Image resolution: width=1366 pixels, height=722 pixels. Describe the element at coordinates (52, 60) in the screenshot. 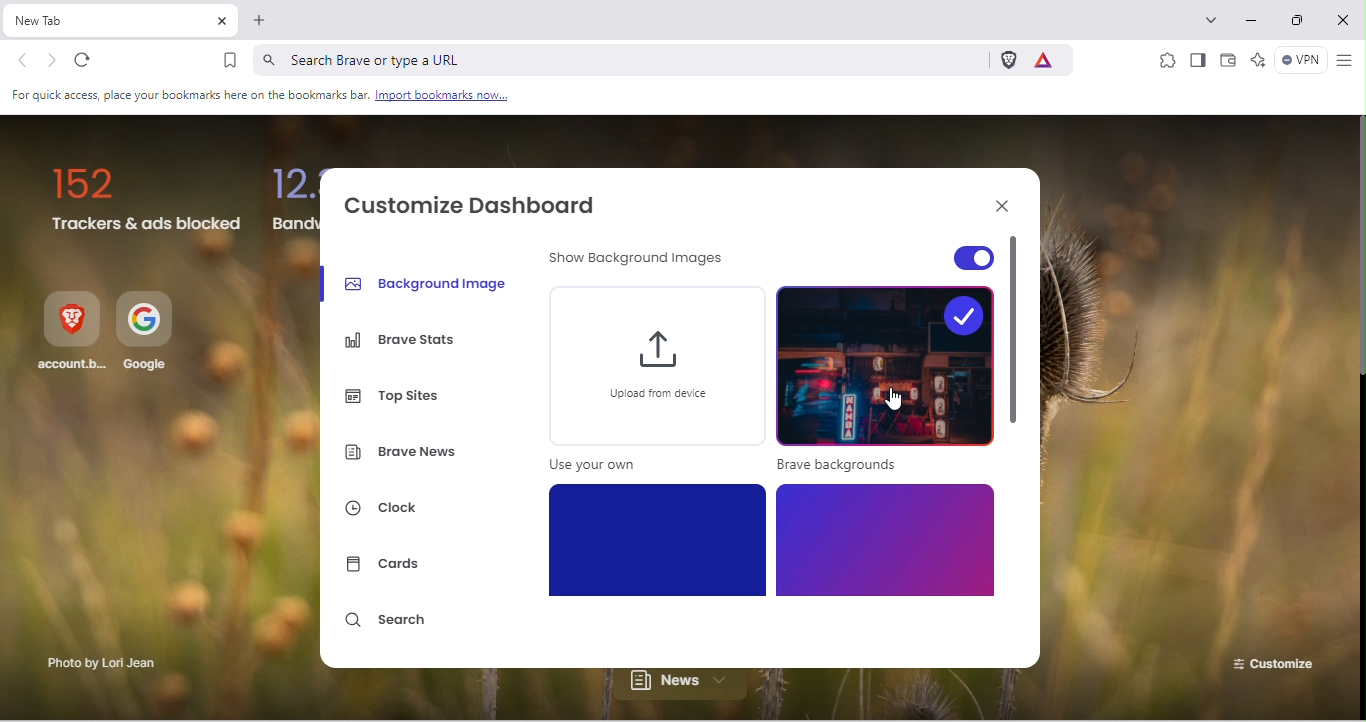

I see `Click to go forward` at that location.